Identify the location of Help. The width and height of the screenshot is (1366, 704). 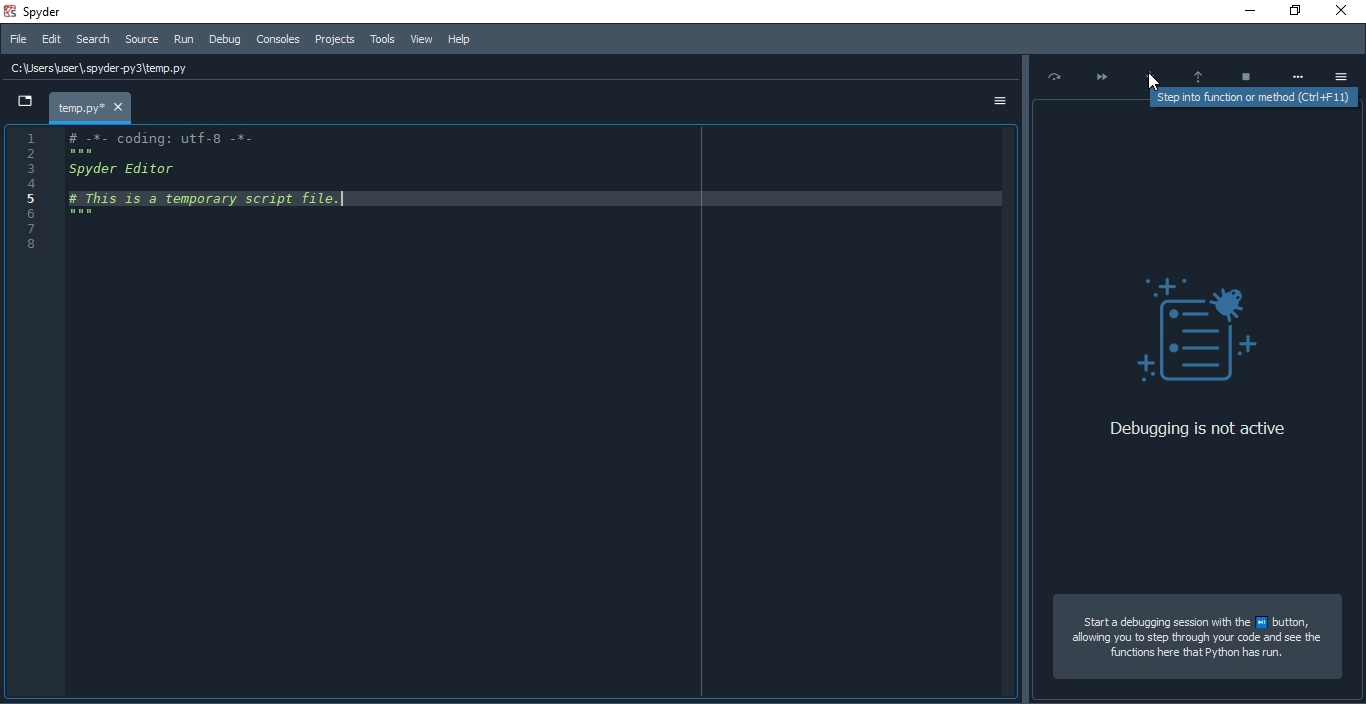
(465, 35).